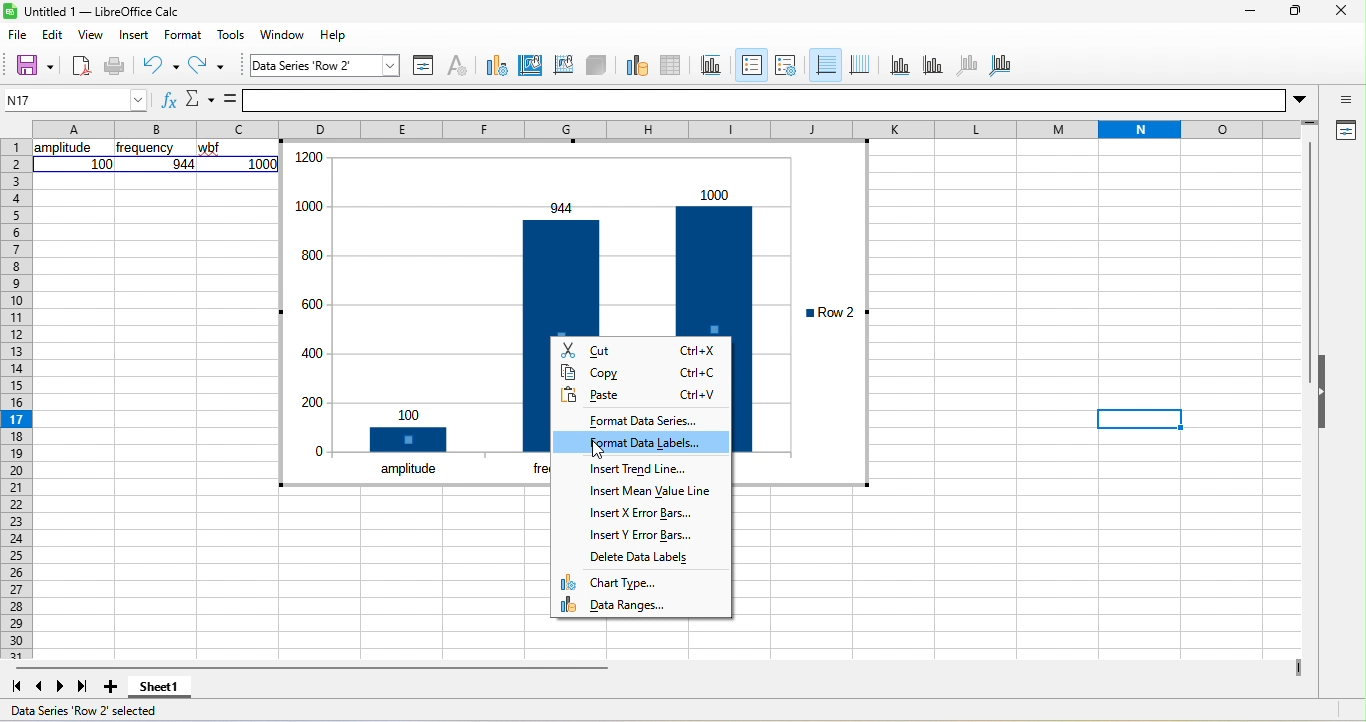 The image size is (1366, 722). Describe the element at coordinates (21, 37) in the screenshot. I see `file` at that location.